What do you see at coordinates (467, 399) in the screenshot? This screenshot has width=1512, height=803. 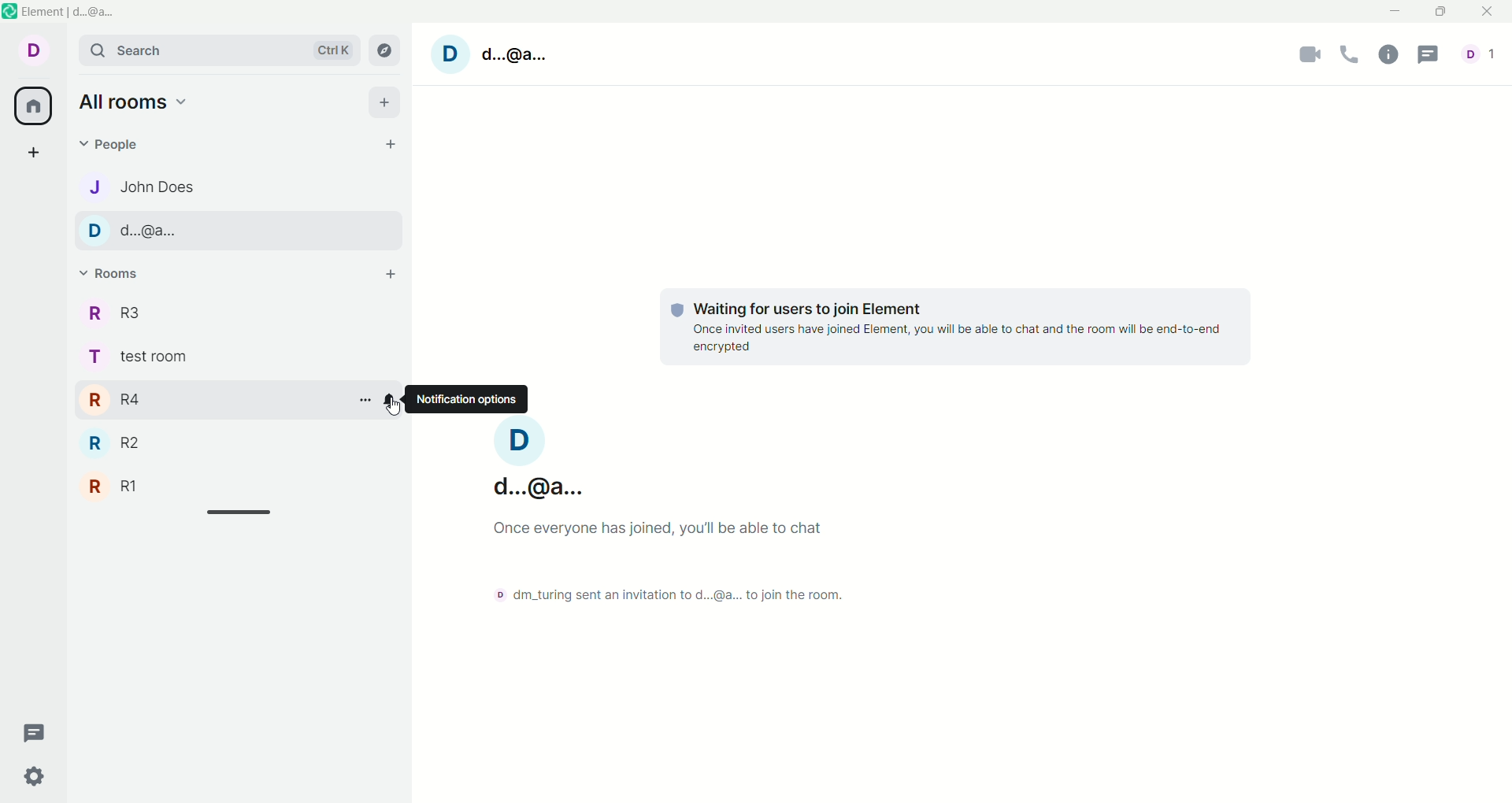 I see `notification options` at bounding box center [467, 399].